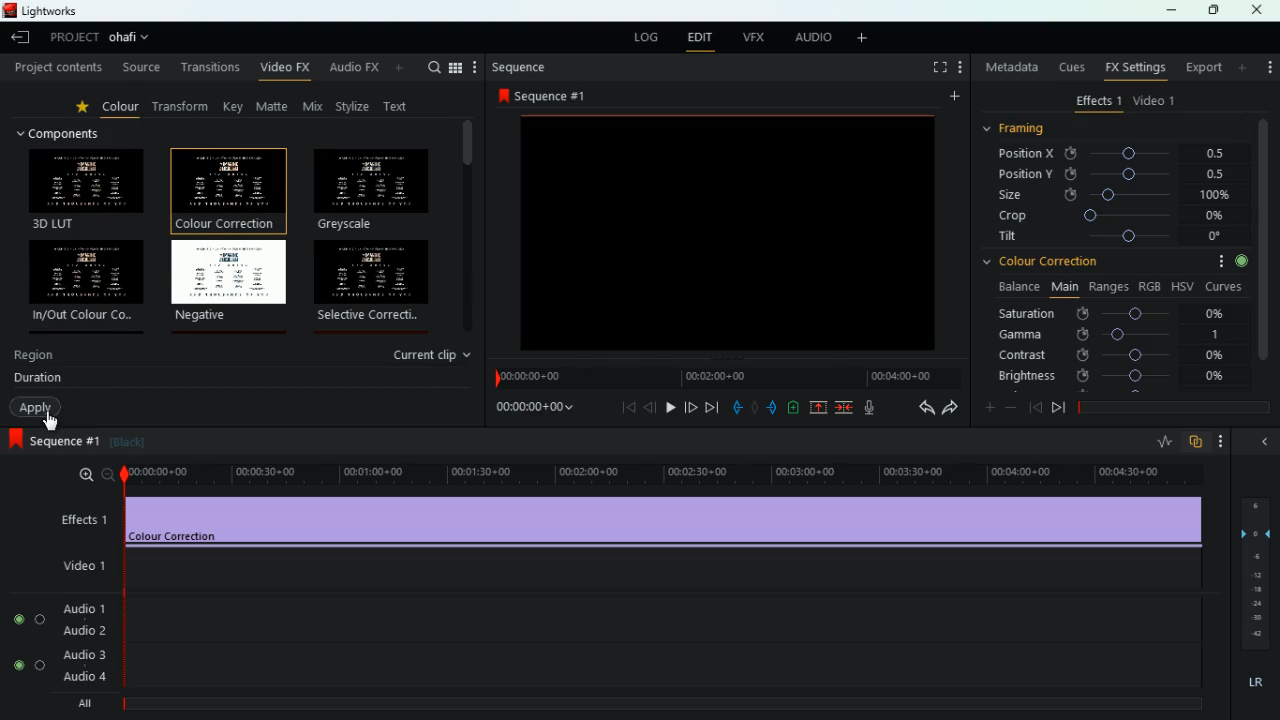 Image resolution: width=1280 pixels, height=720 pixels. What do you see at coordinates (53, 421) in the screenshot?
I see `cursor` at bounding box center [53, 421].